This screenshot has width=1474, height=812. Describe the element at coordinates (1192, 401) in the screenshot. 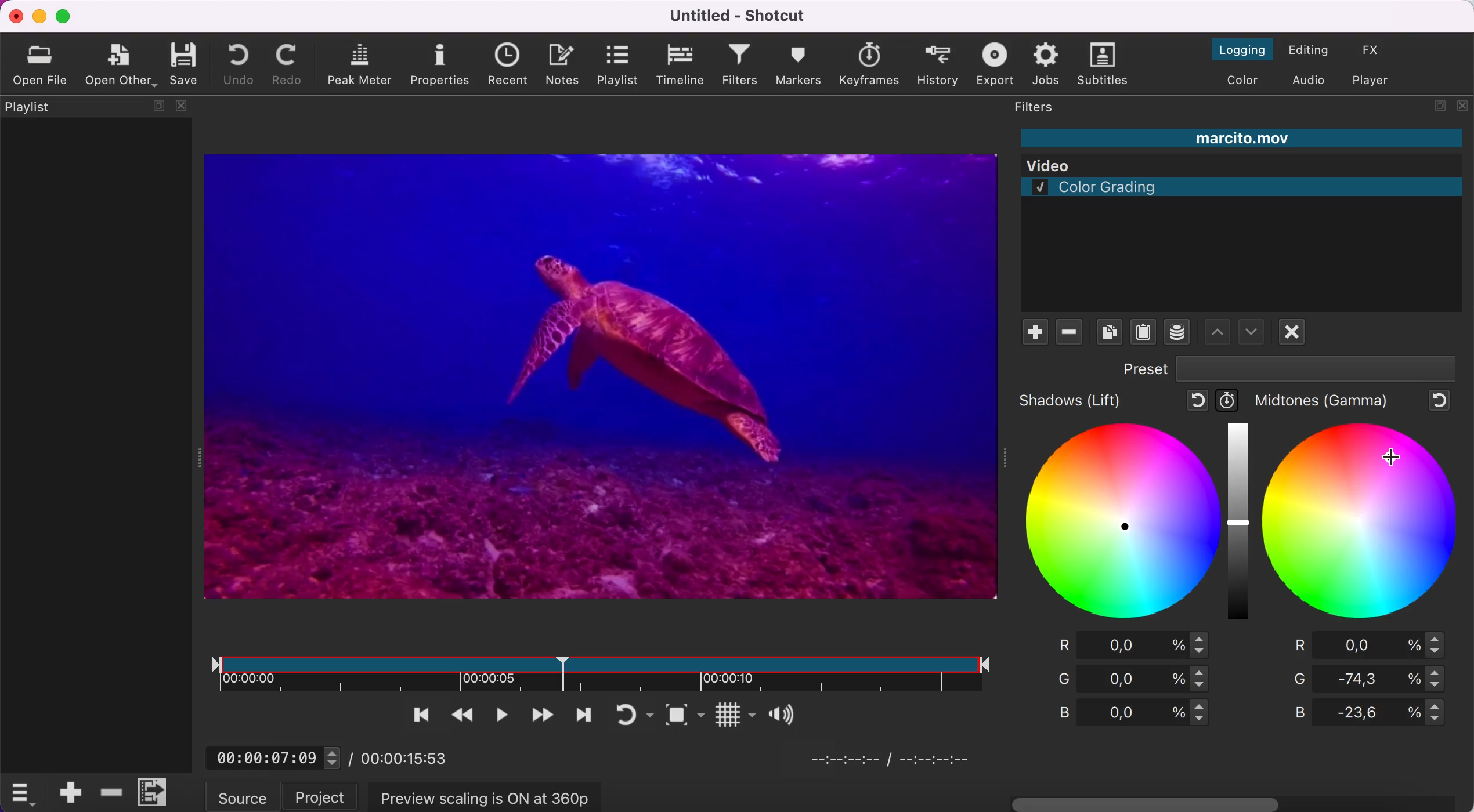

I see `reset to default` at that location.